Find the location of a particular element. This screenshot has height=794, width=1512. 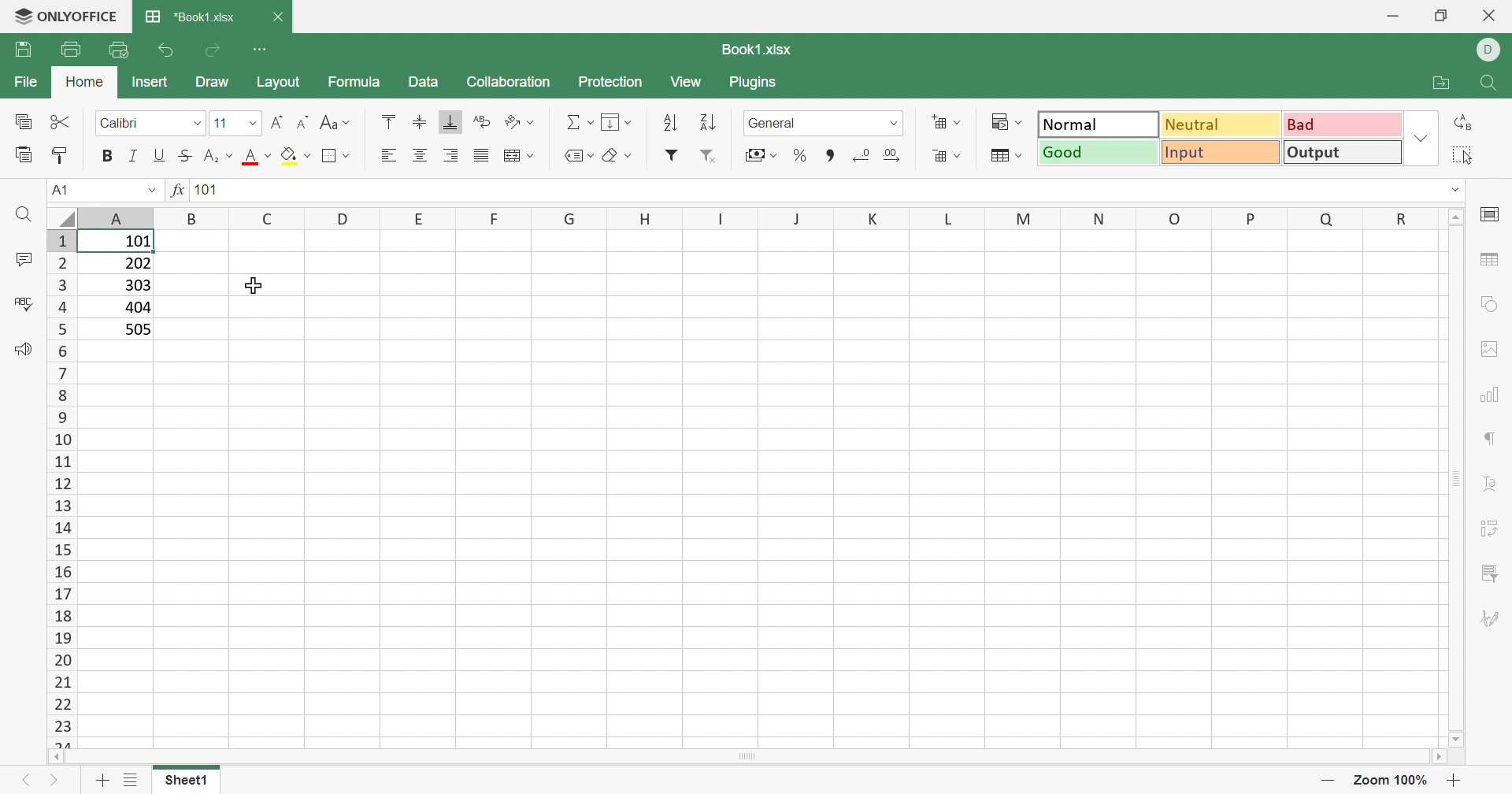

Close is located at coordinates (1488, 17).